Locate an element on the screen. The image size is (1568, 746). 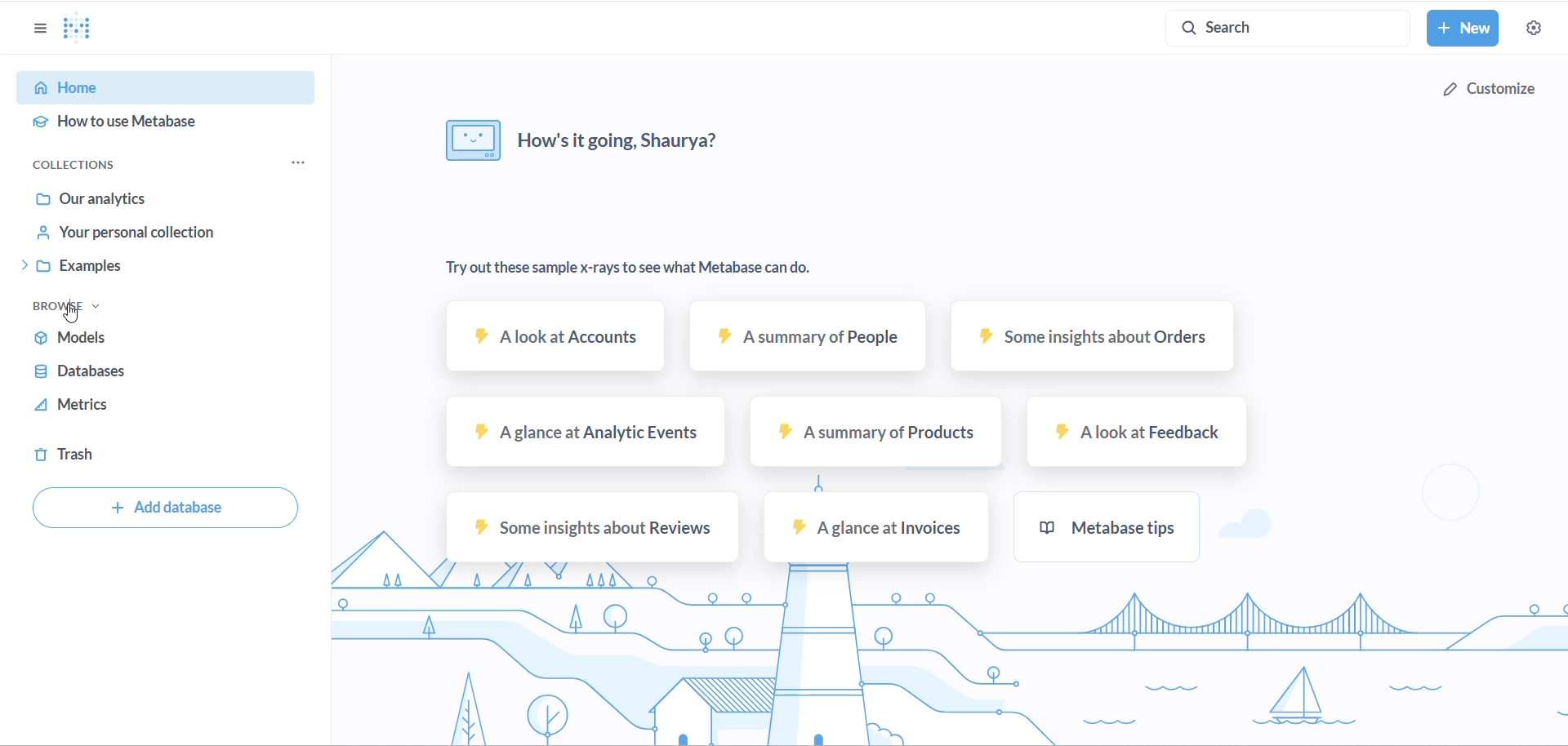
trash is located at coordinates (81, 460).